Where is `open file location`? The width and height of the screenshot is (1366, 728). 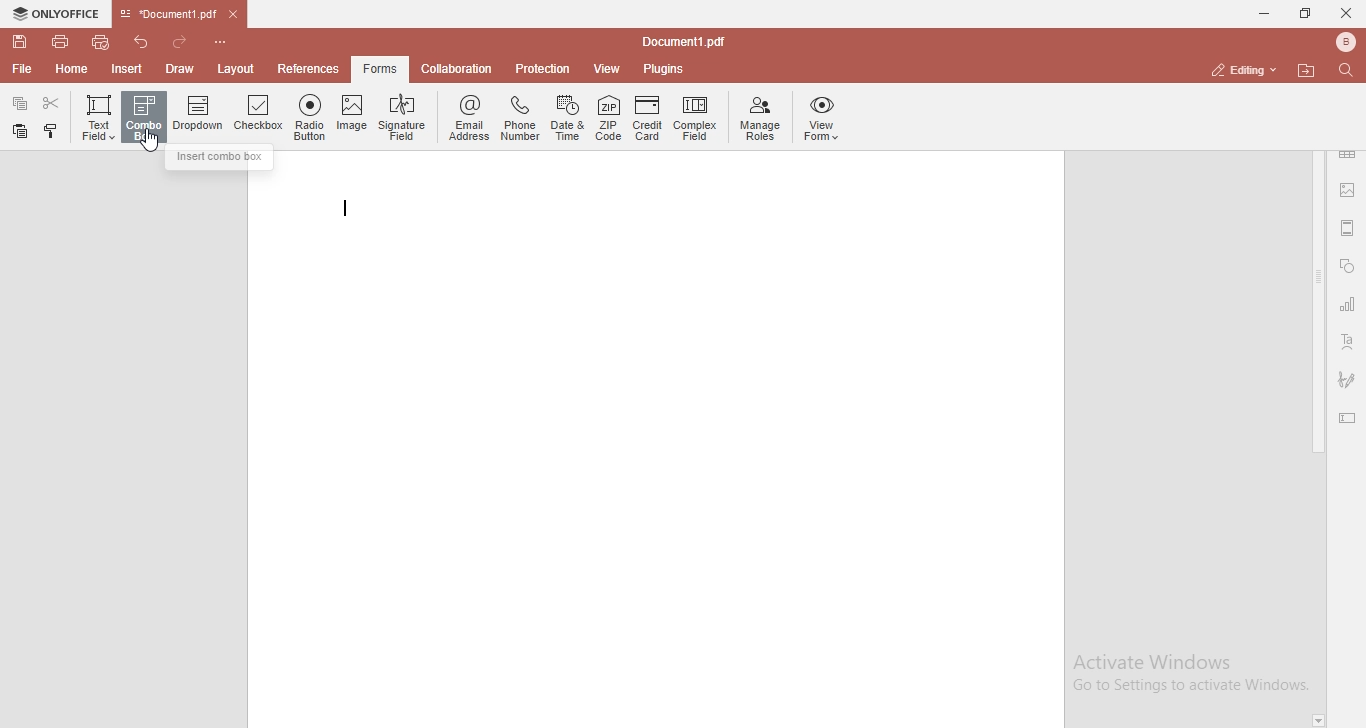
open file location is located at coordinates (1309, 70).